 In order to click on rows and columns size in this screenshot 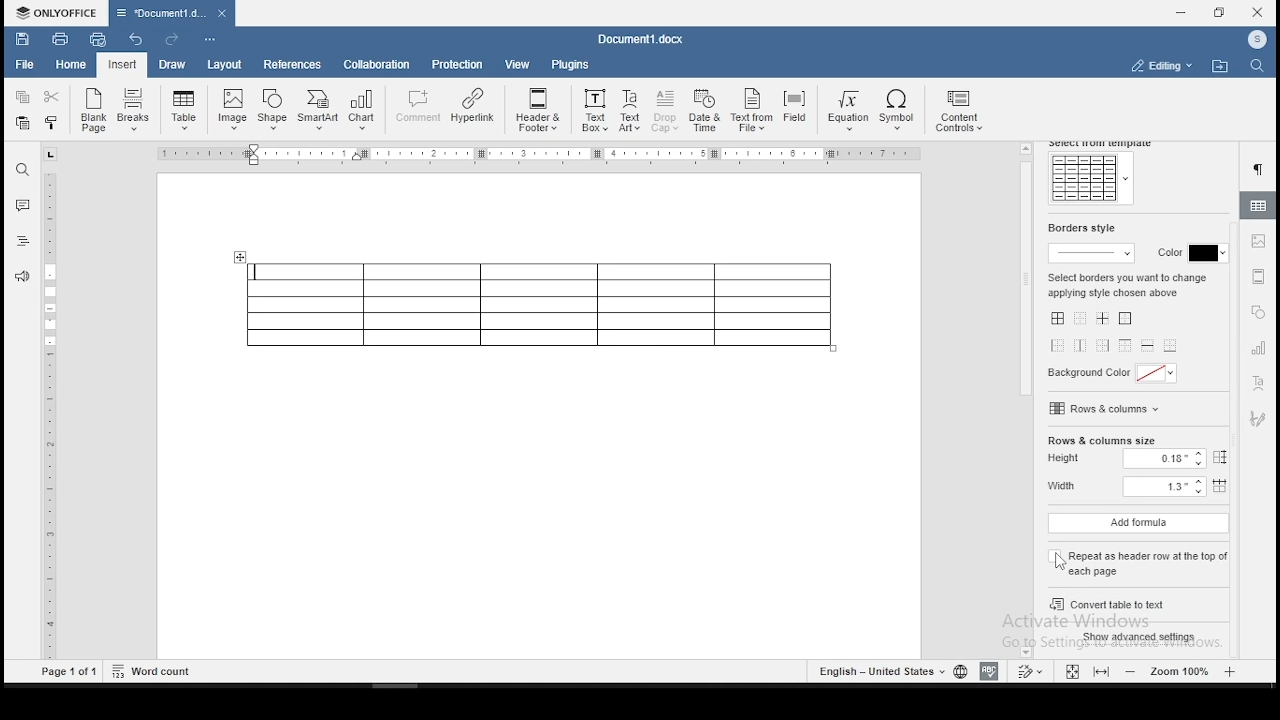, I will do `click(1101, 441)`.